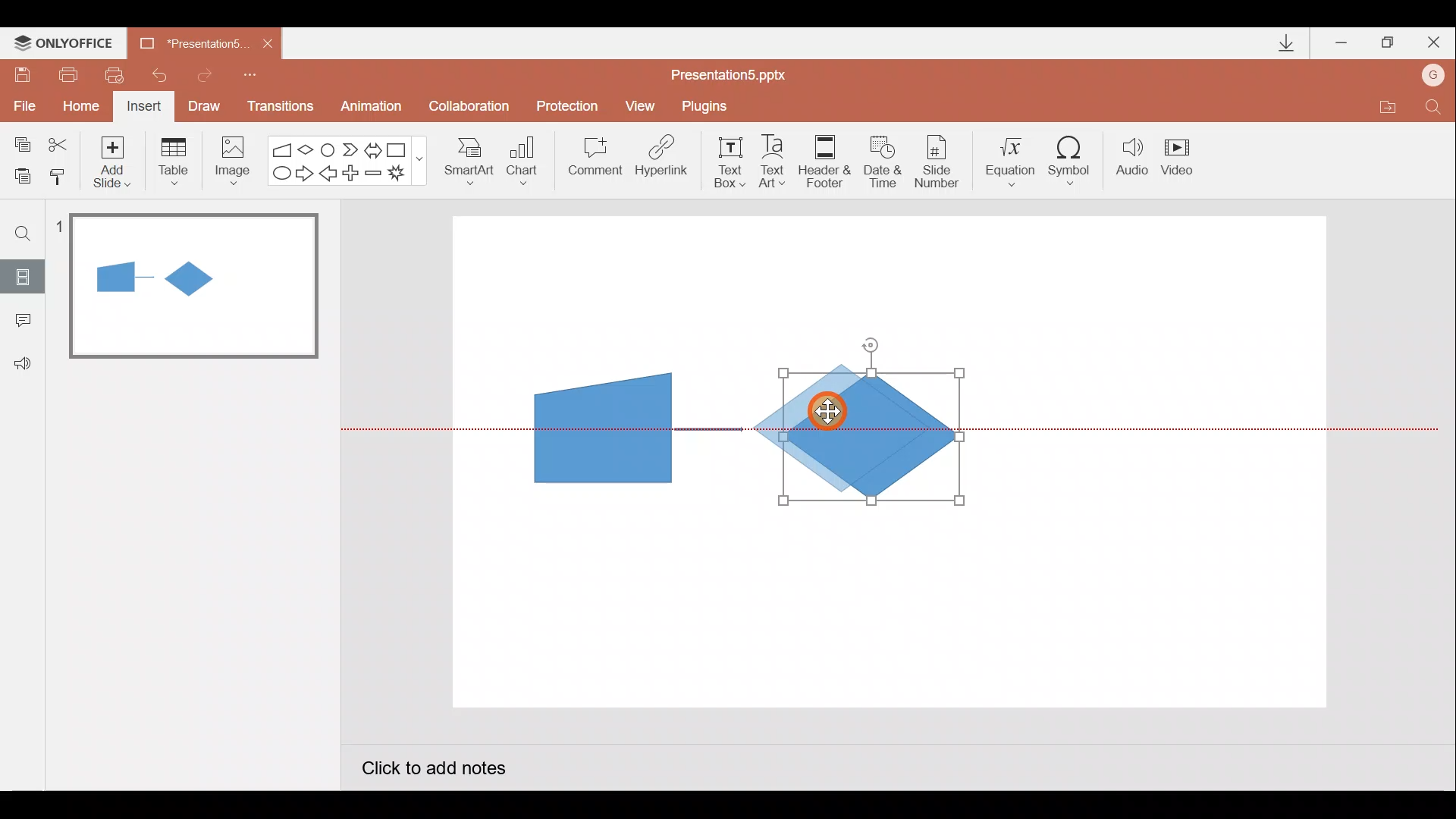  I want to click on Paste, so click(18, 174).